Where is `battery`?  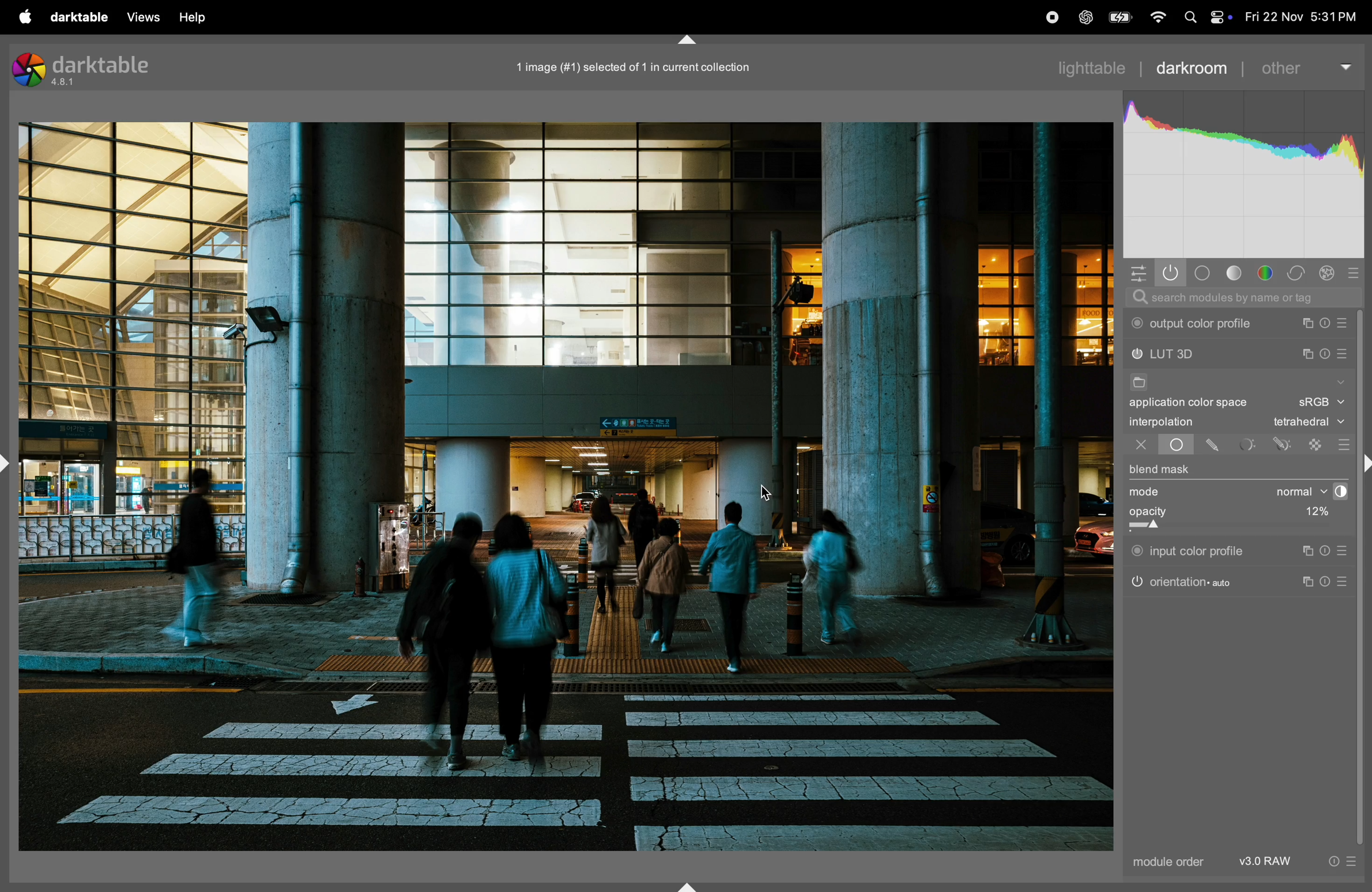 battery is located at coordinates (1118, 17).